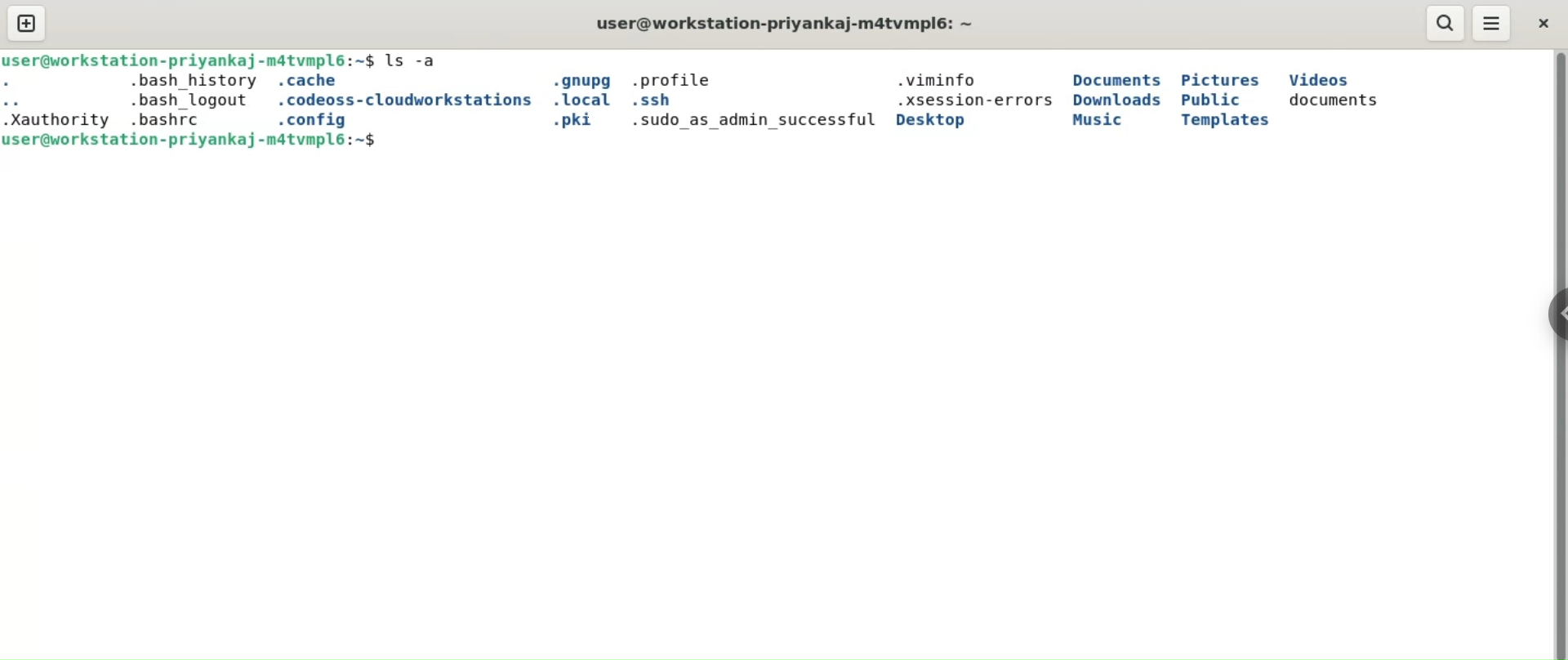  I want to click on documents , so click(1334, 101).